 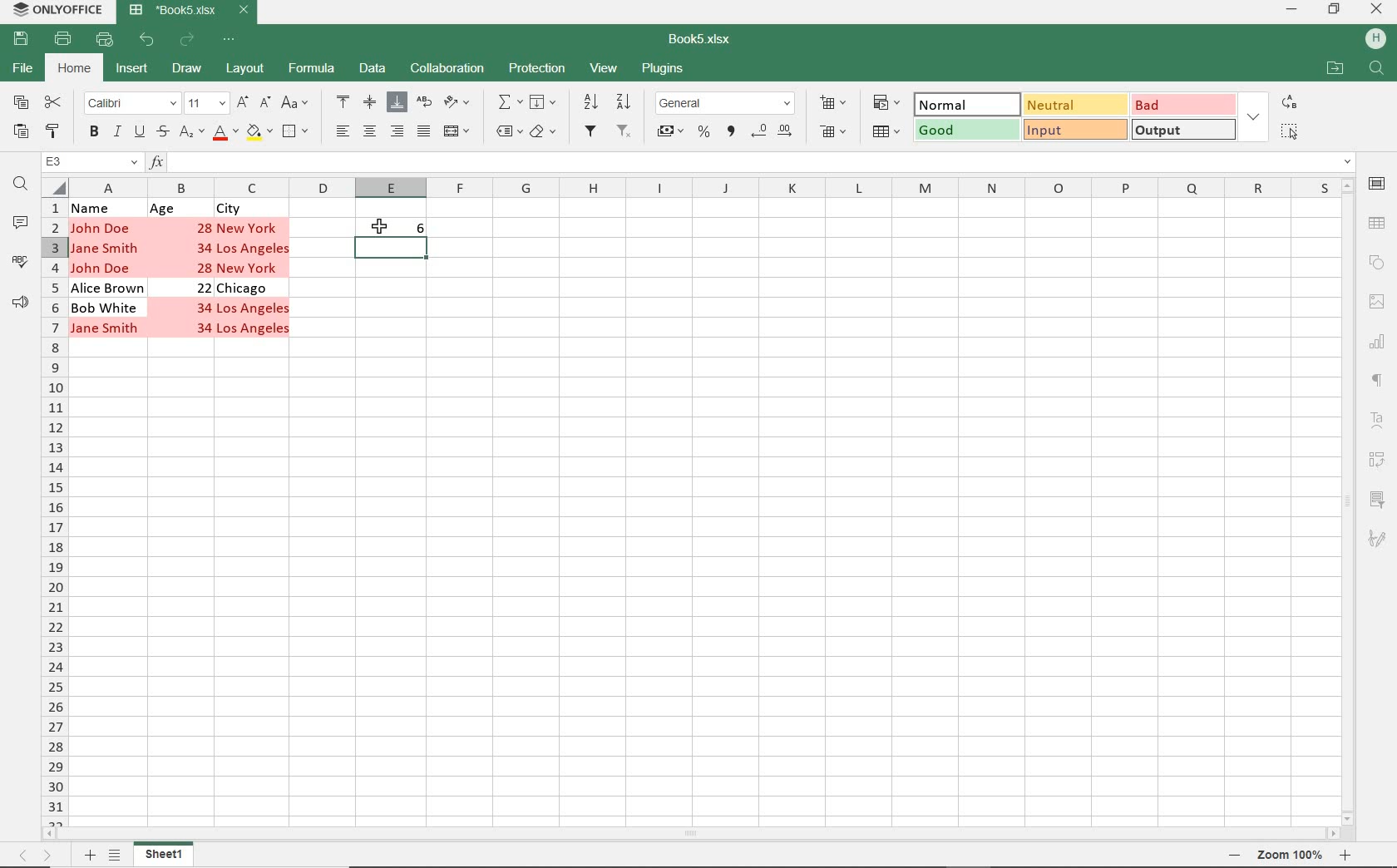 I want to click on 28, so click(x=207, y=268).